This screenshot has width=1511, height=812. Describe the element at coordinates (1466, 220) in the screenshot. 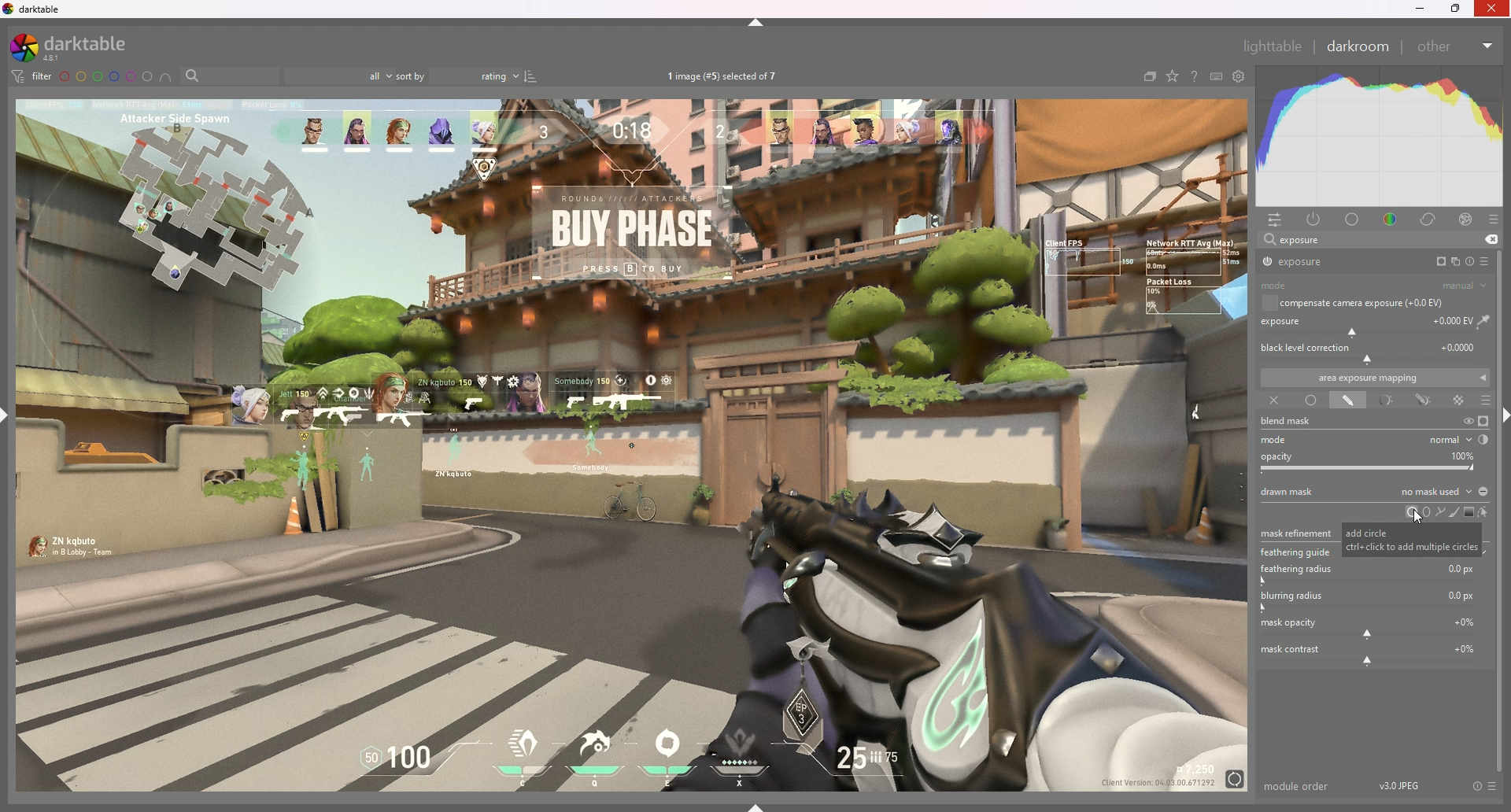

I see `effect` at that location.